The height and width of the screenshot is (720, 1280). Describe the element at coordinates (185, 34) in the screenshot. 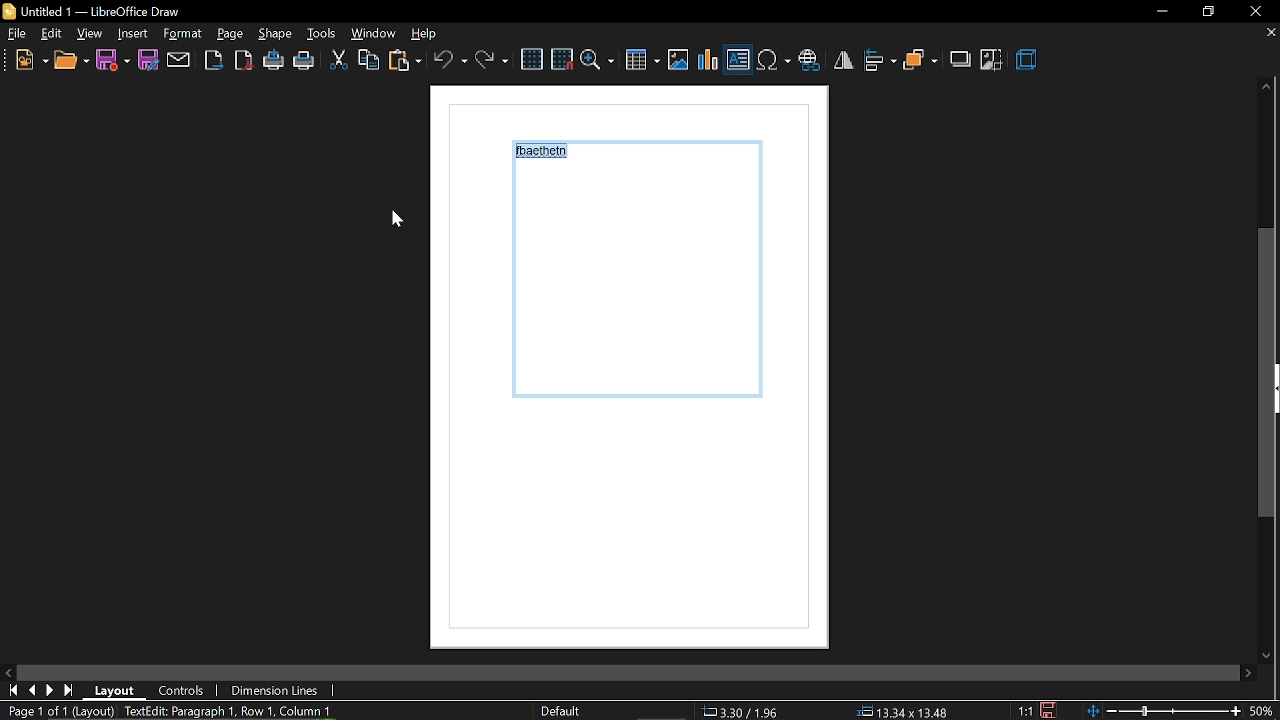

I see `insert` at that location.